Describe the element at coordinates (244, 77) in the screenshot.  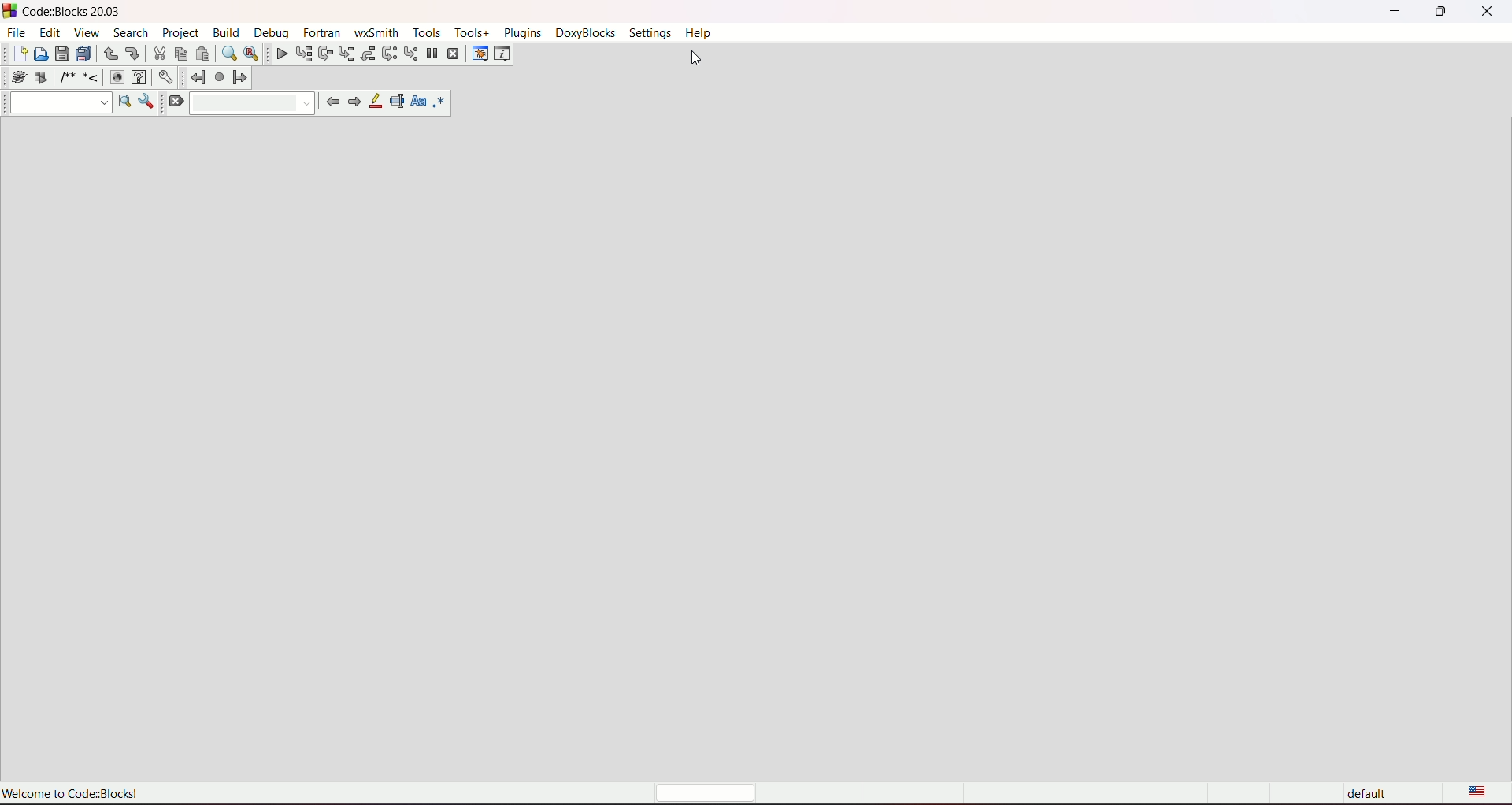
I see `jump forward` at that location.